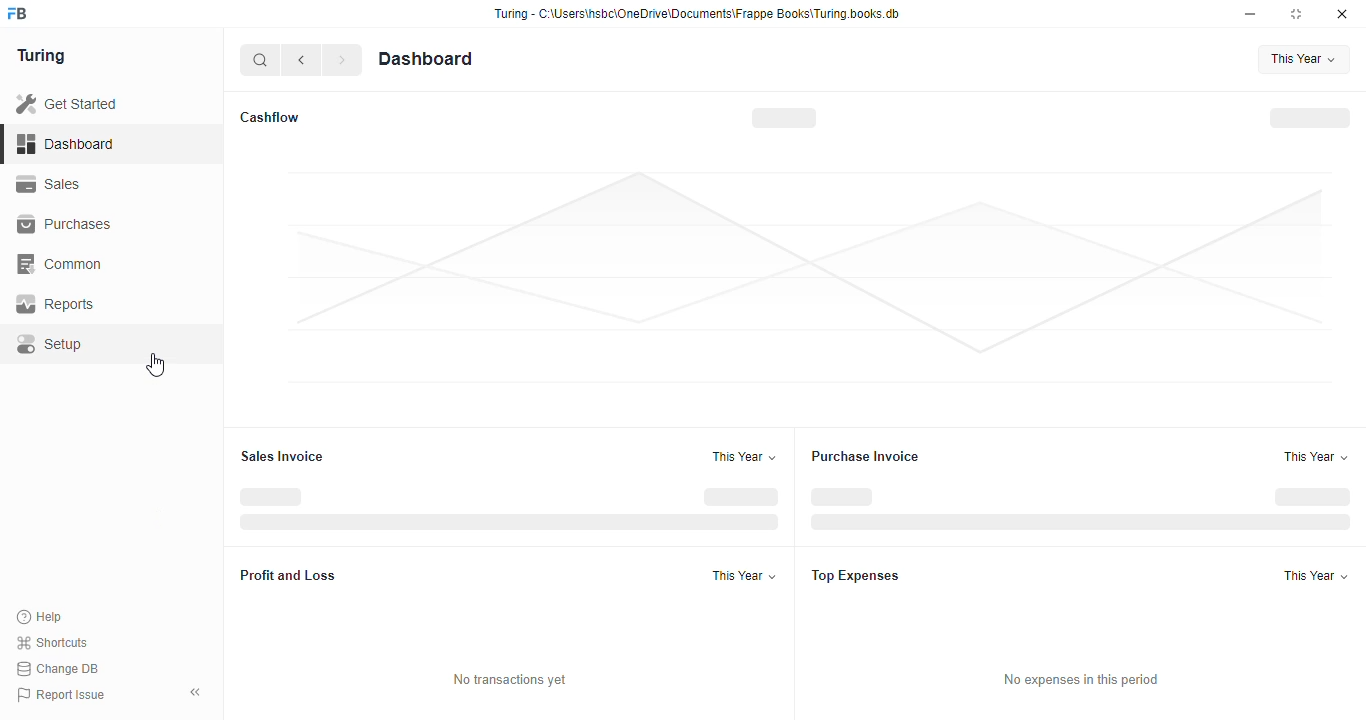  I want to click on purchases, so click(67, 225).